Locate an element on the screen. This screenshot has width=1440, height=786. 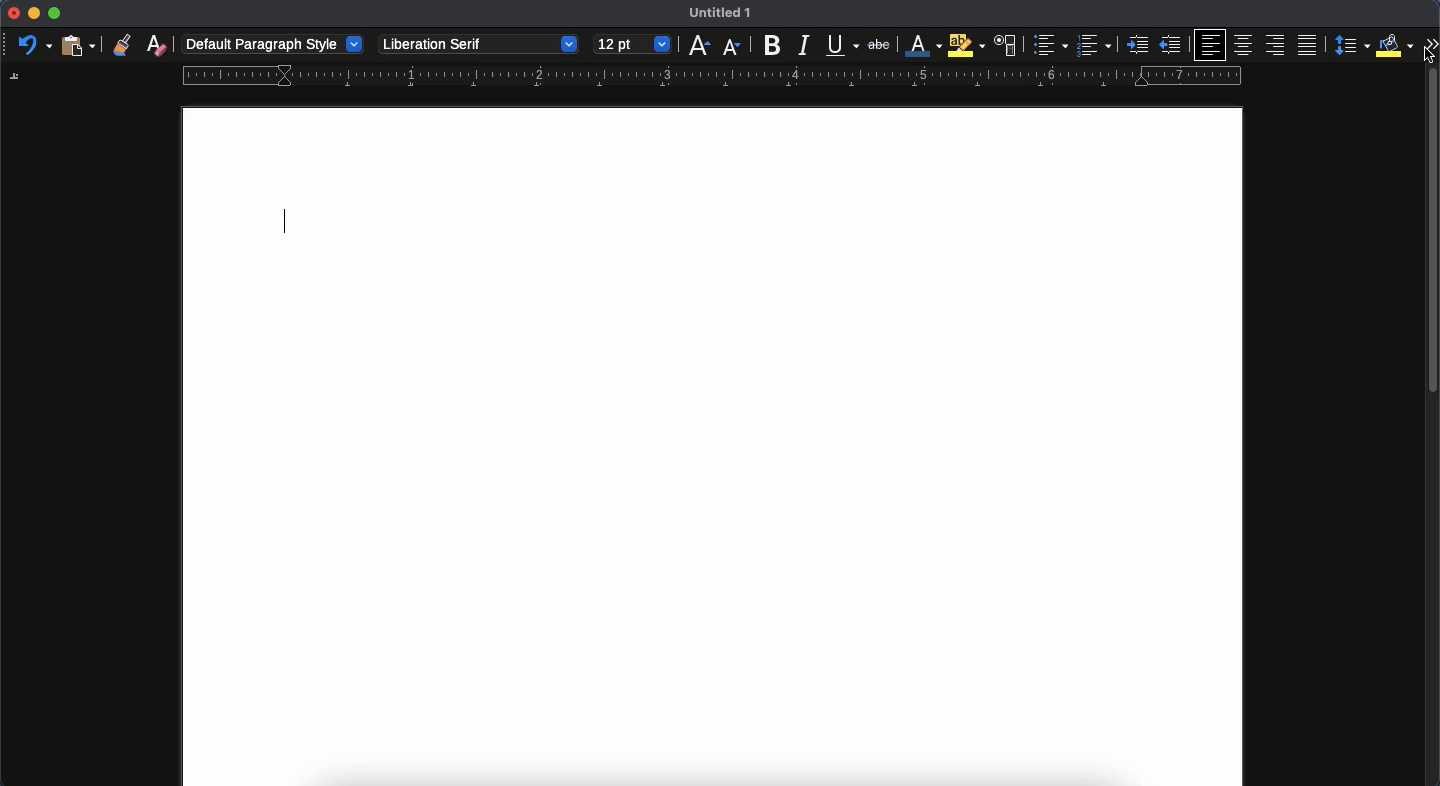
strikethrough is located at coordinates (879, 44).